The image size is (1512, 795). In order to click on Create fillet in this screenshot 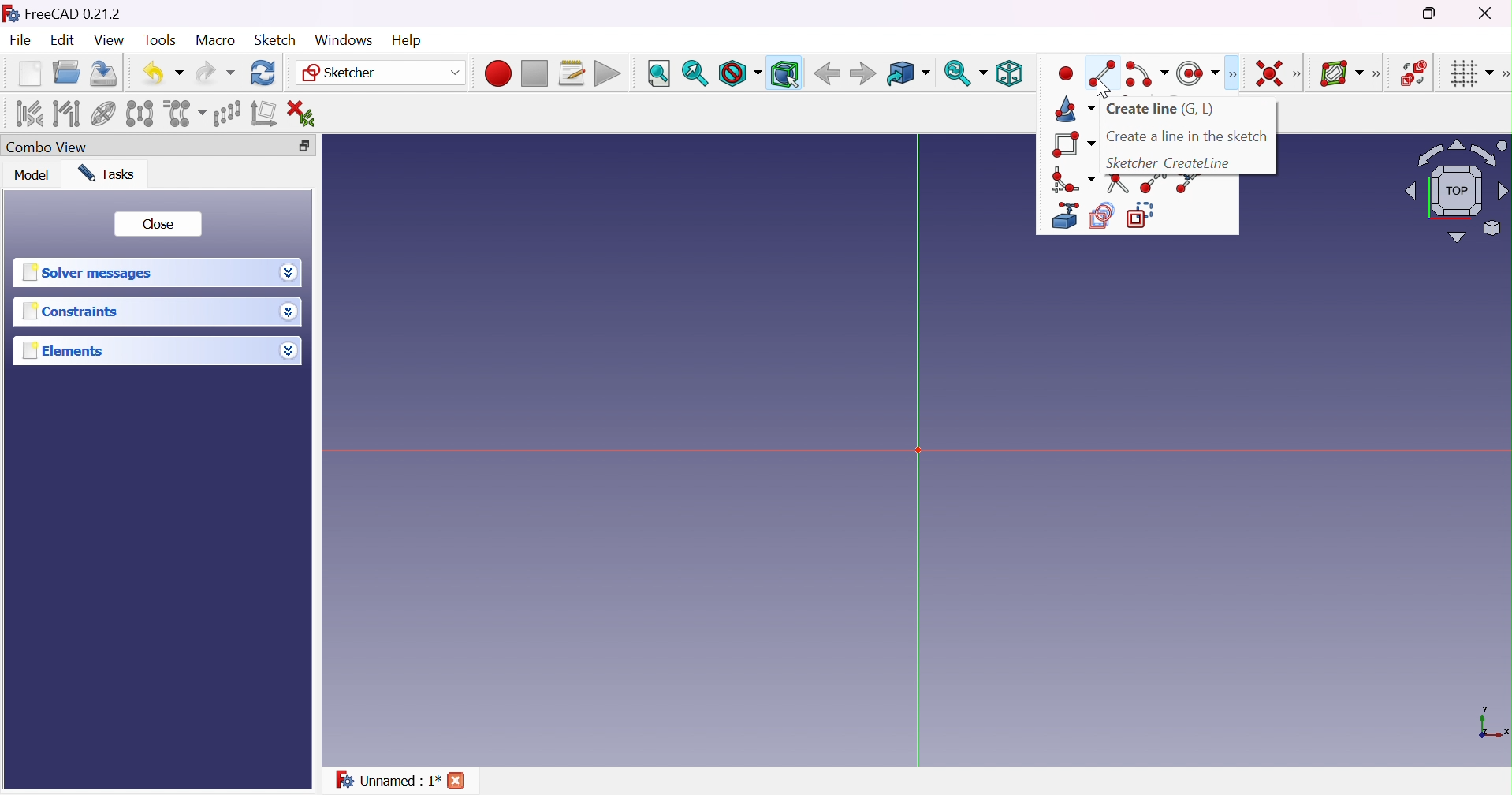, I will do `click(1072, 179)`.